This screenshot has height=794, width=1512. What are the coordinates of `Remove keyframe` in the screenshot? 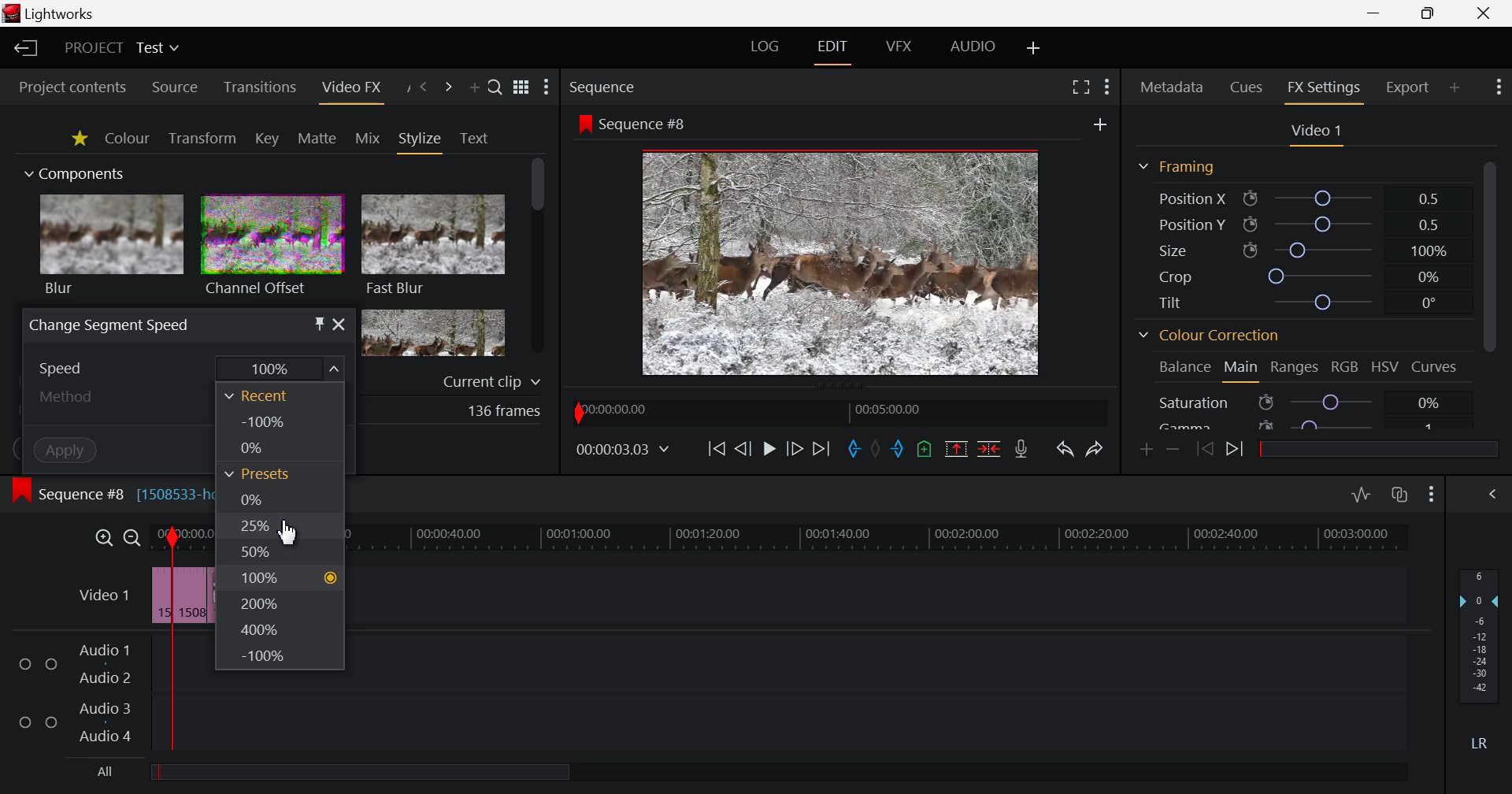 It's located at (1173, 449).